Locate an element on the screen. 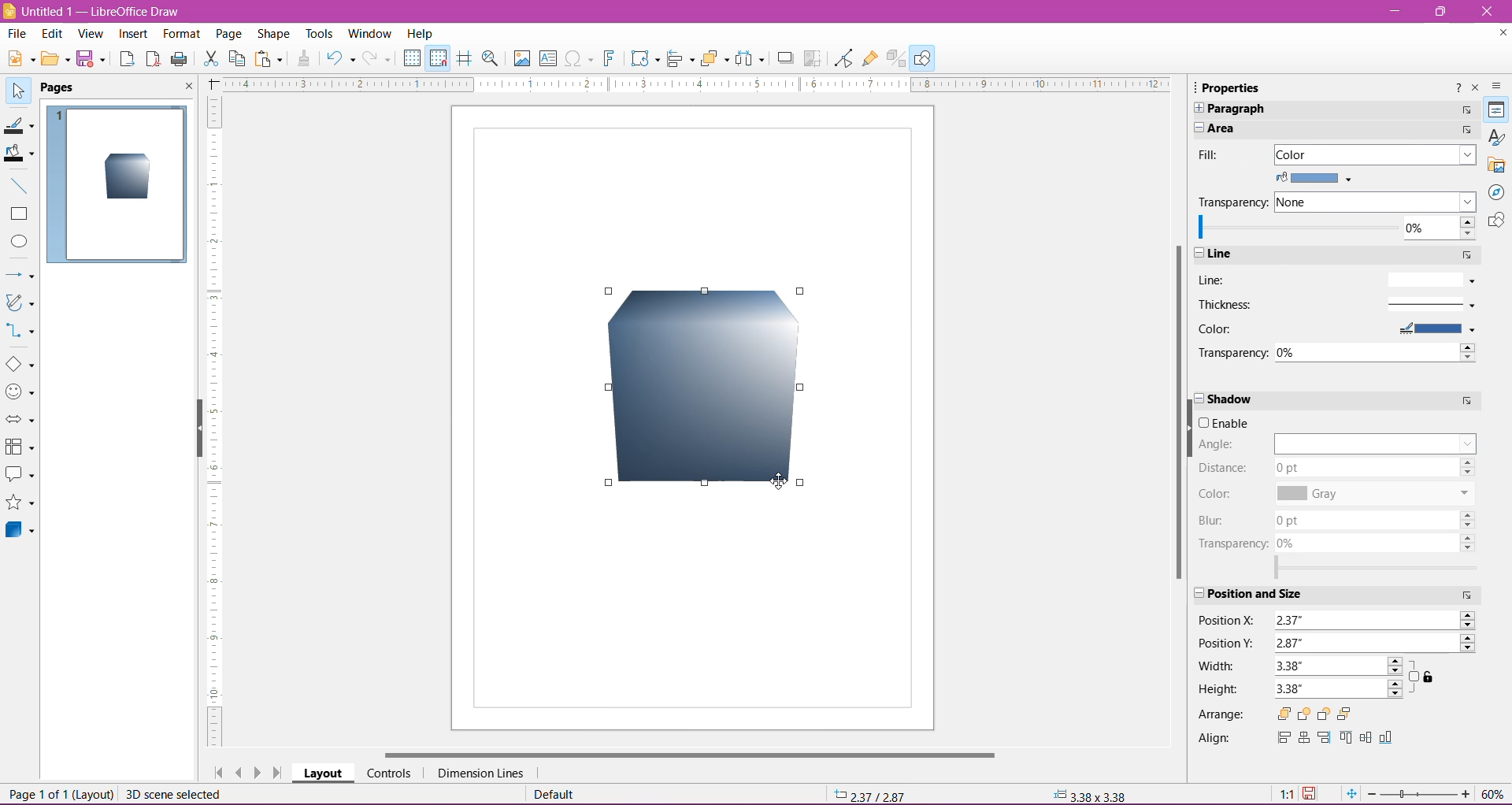 The image size is (1512, 805). Enter a height for selected object is located at coordinates (1338, 689).